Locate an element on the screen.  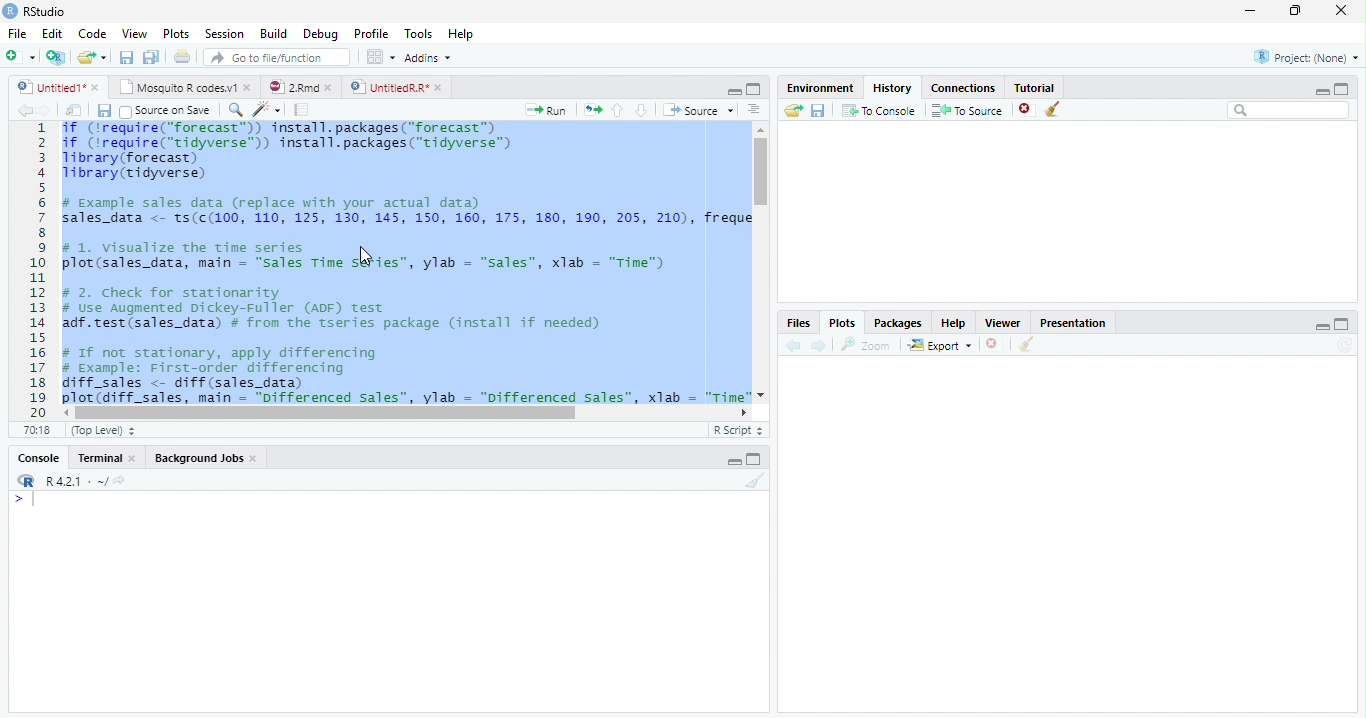
Delete is located at coordinates (992, 343).